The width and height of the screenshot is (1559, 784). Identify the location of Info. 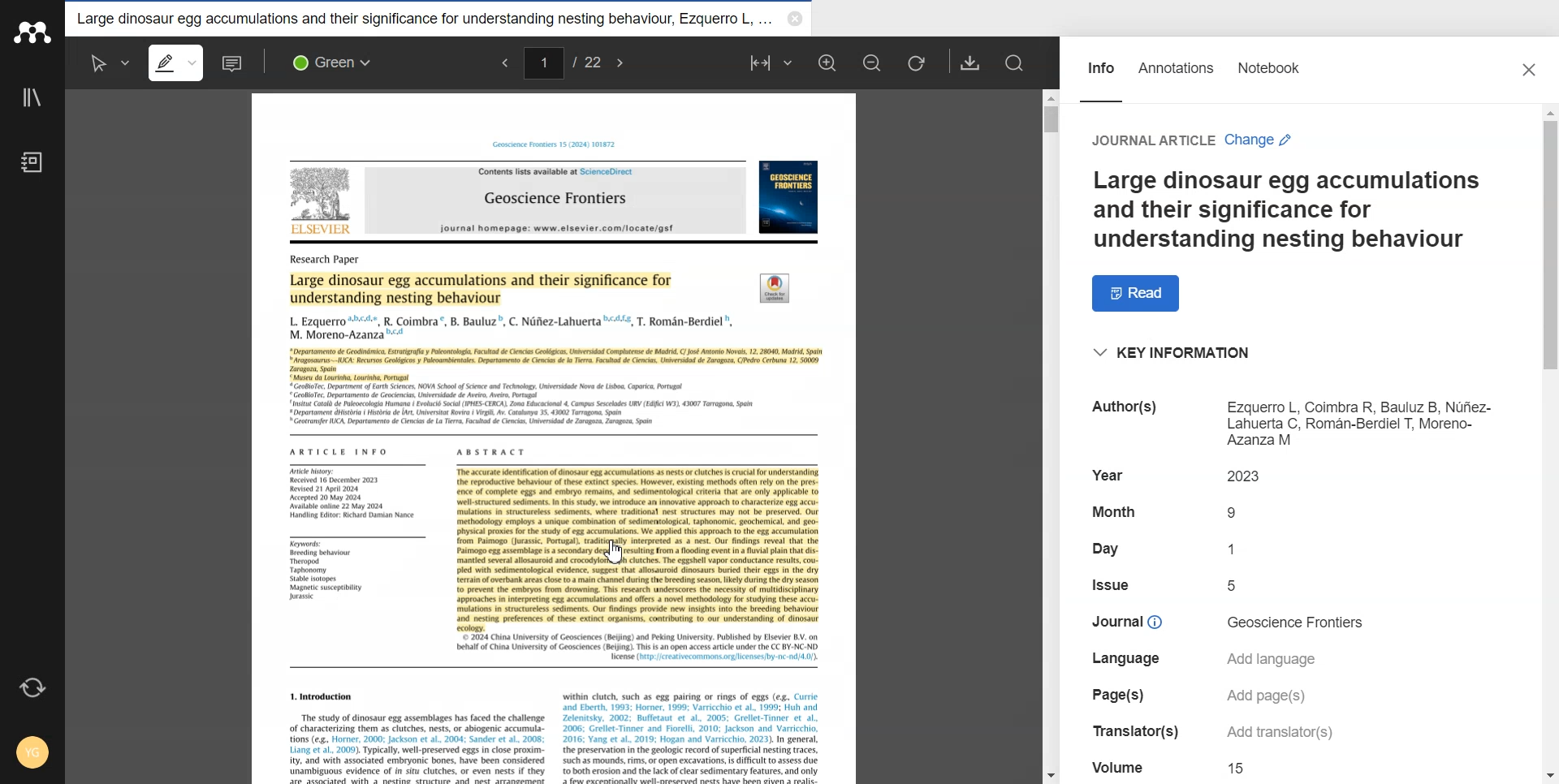
(1100, 76).